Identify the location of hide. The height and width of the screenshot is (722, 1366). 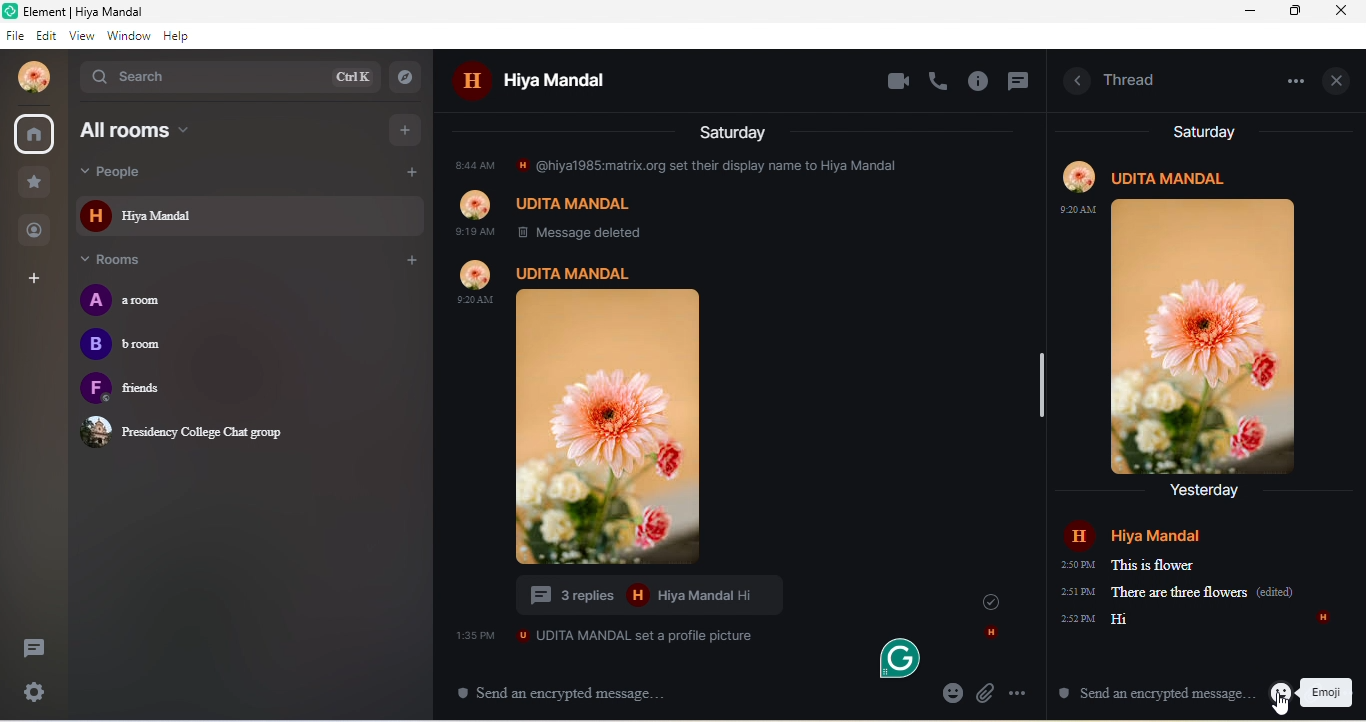
(1076, 82).